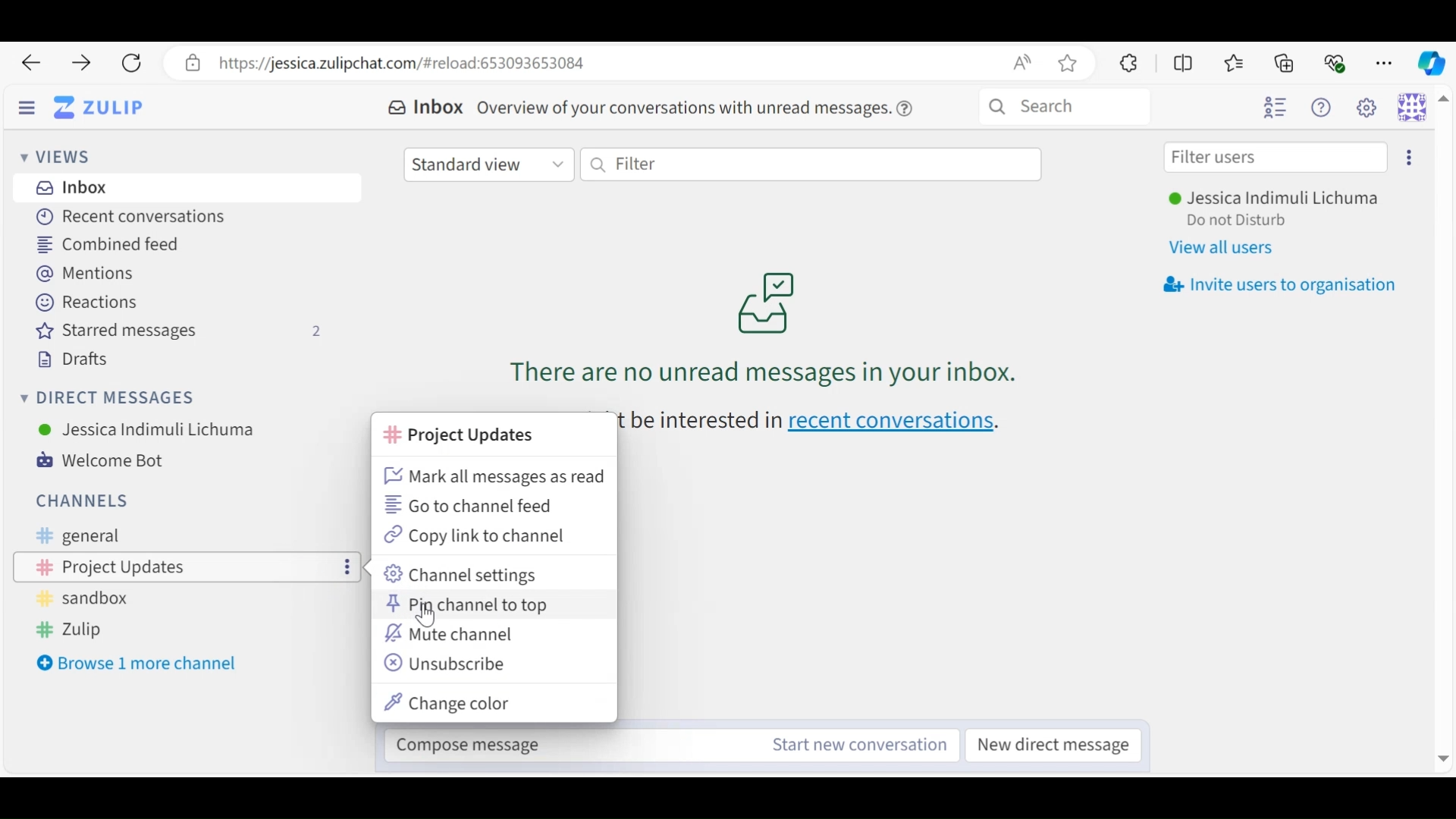 The image size is (1456, 819). Describe the element at coordinates (1276, 158) in the screenshot. I see `Filter users` at that location.